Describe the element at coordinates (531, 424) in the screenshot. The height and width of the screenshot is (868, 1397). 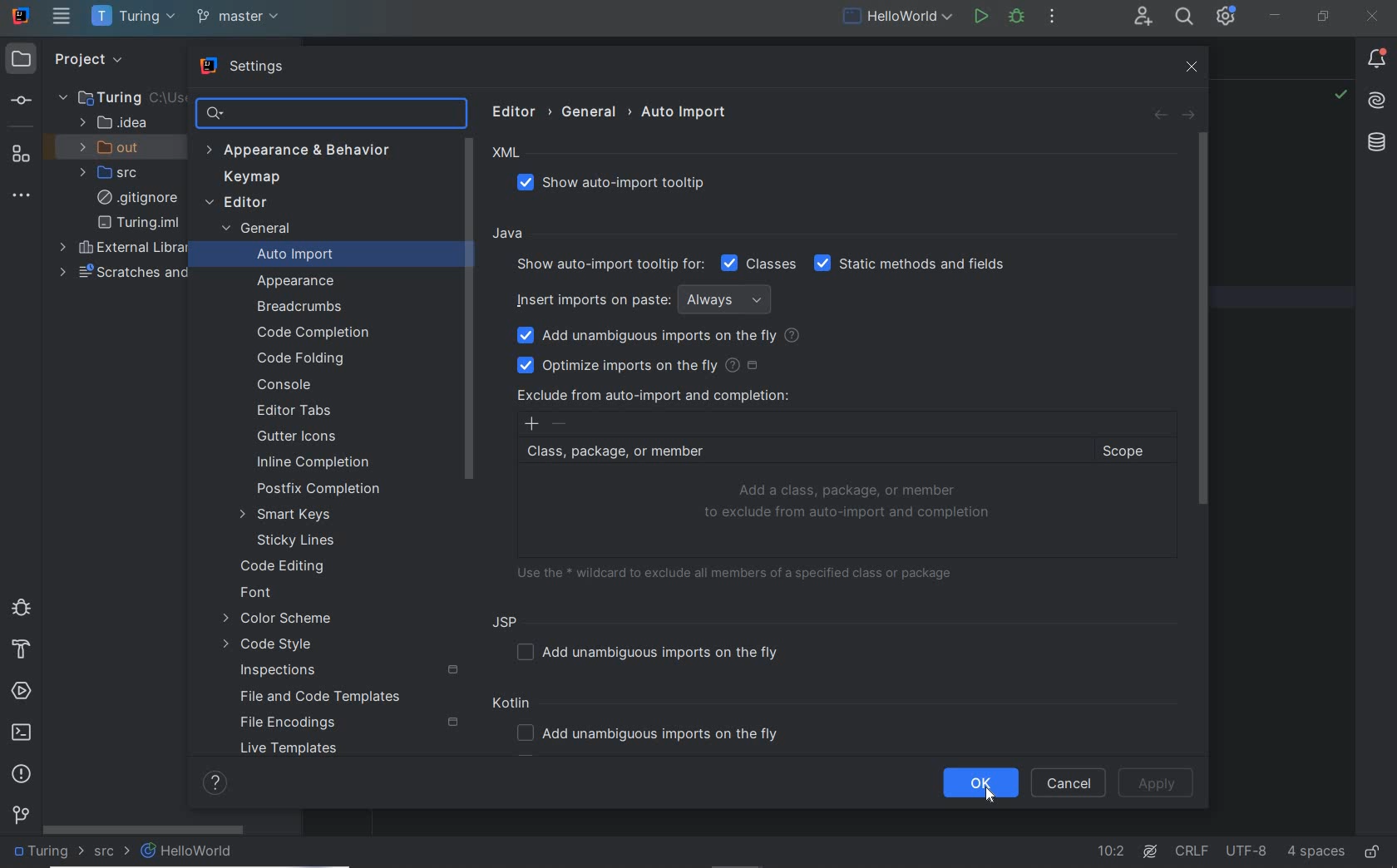
I see `ADD` at that location.